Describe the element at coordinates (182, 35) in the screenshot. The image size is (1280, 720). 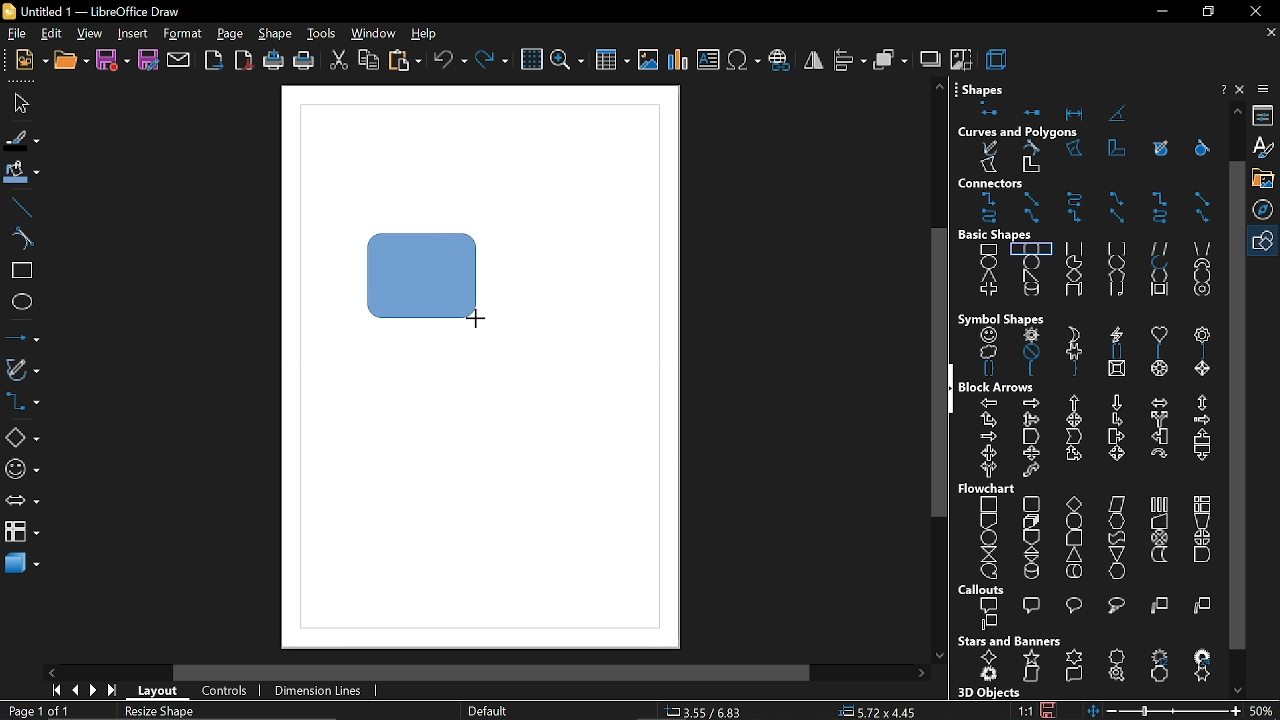
I see `format` at that location.